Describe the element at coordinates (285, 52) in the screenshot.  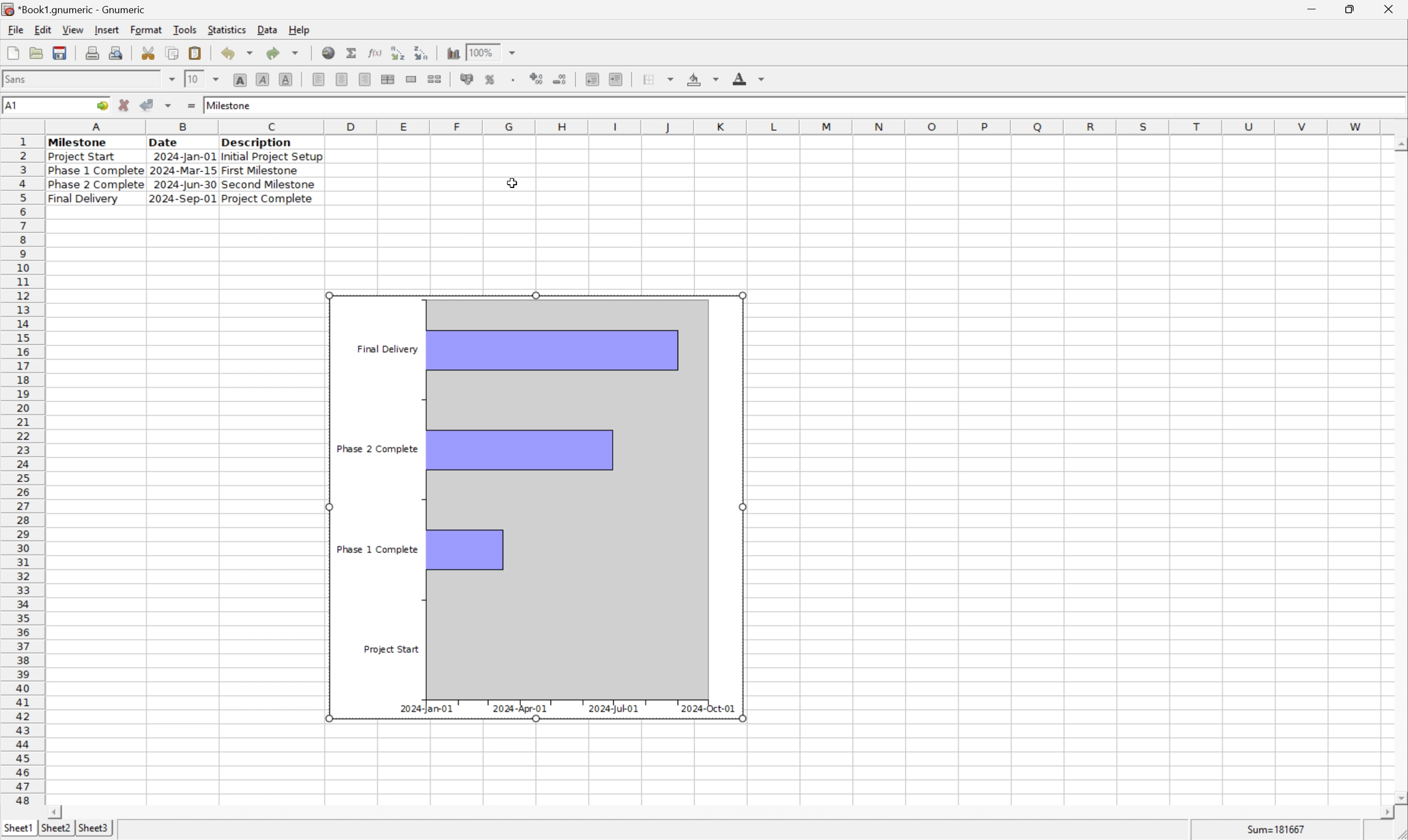
I see `redo` at that location.